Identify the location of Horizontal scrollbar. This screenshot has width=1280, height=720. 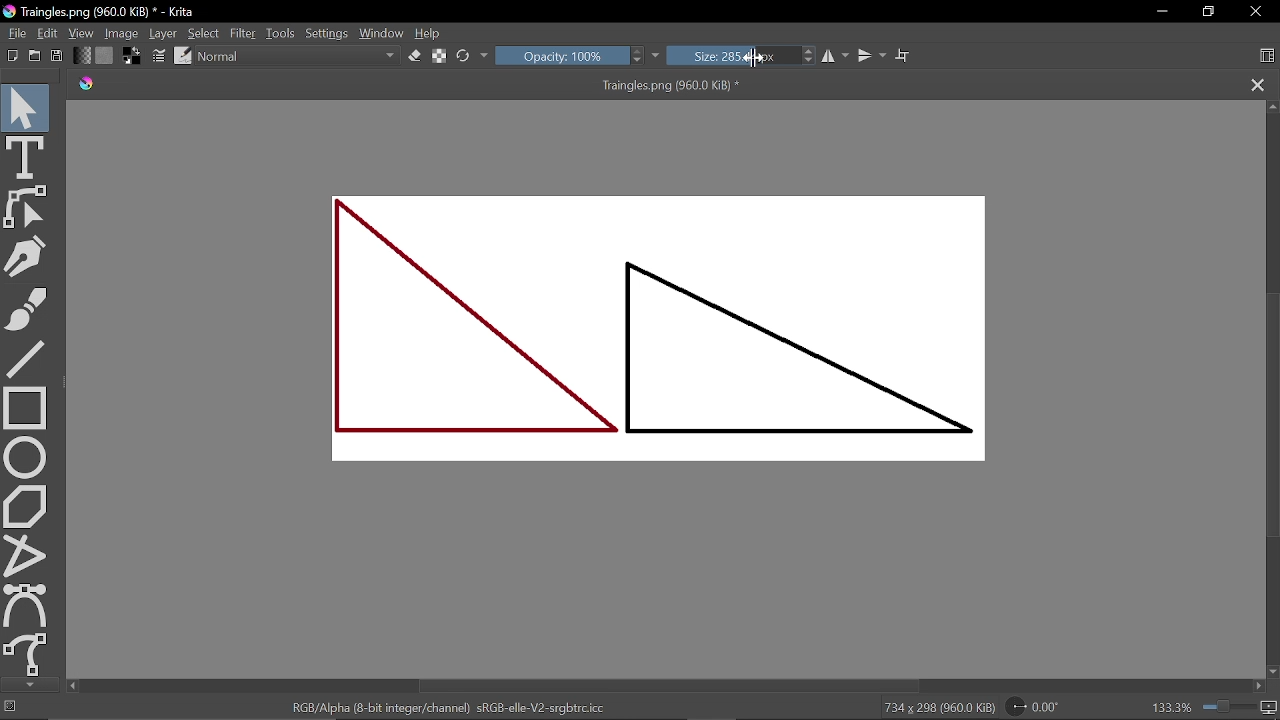
(666, 686).